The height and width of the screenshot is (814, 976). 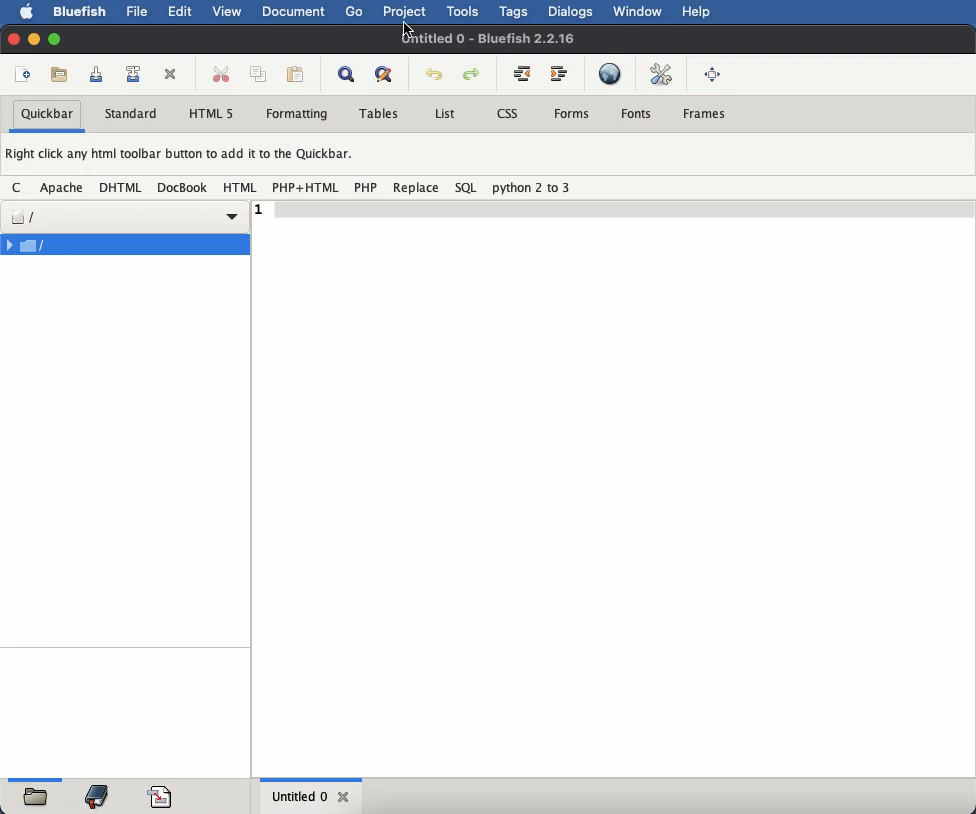 What do you see at coordinates (443, 114) in the screenshot?
I see `list` at bounding box center [443, 114].